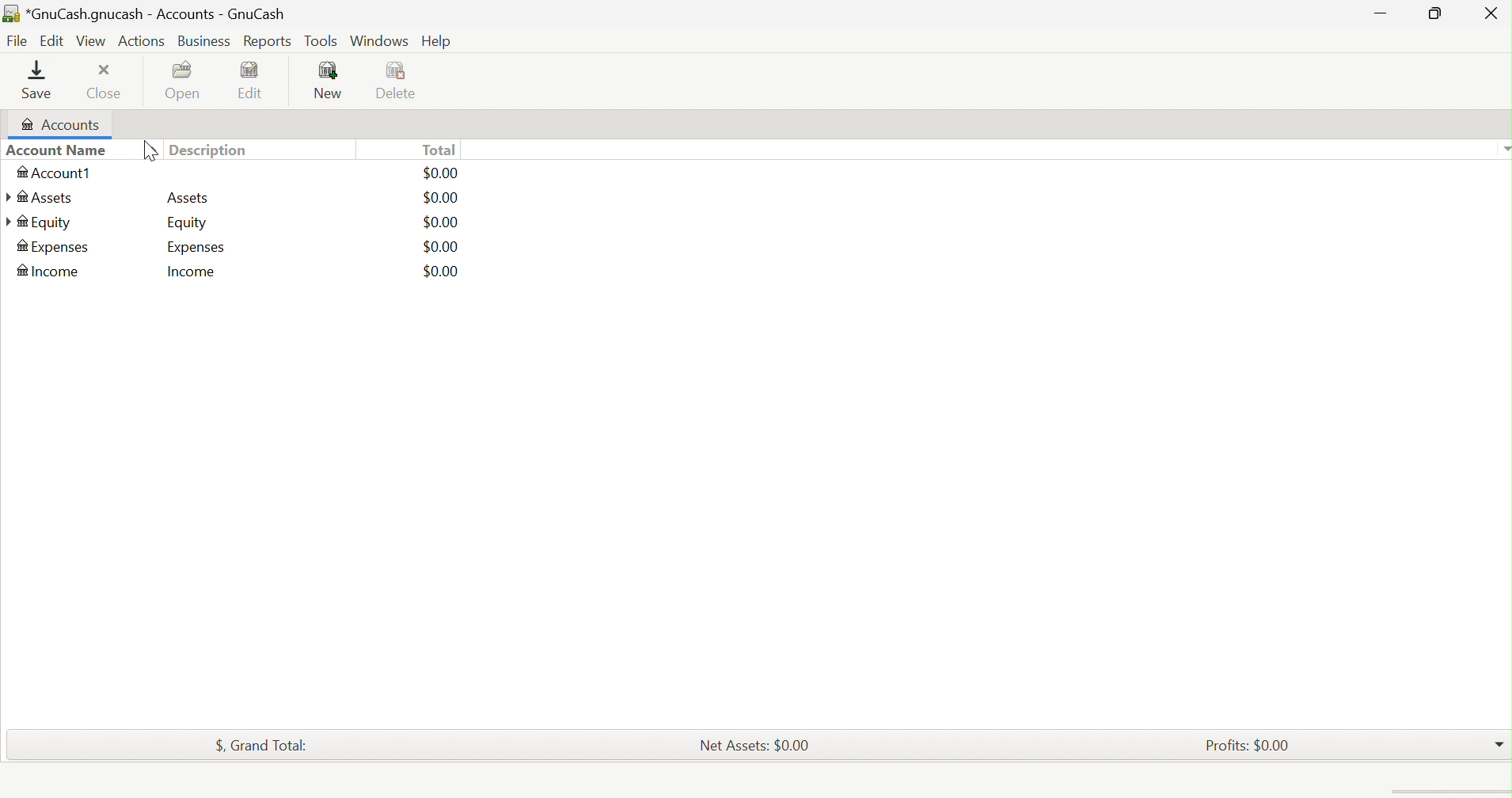 This screenshot has height=798, width=1512. I want to click on File, so click(15, 41).